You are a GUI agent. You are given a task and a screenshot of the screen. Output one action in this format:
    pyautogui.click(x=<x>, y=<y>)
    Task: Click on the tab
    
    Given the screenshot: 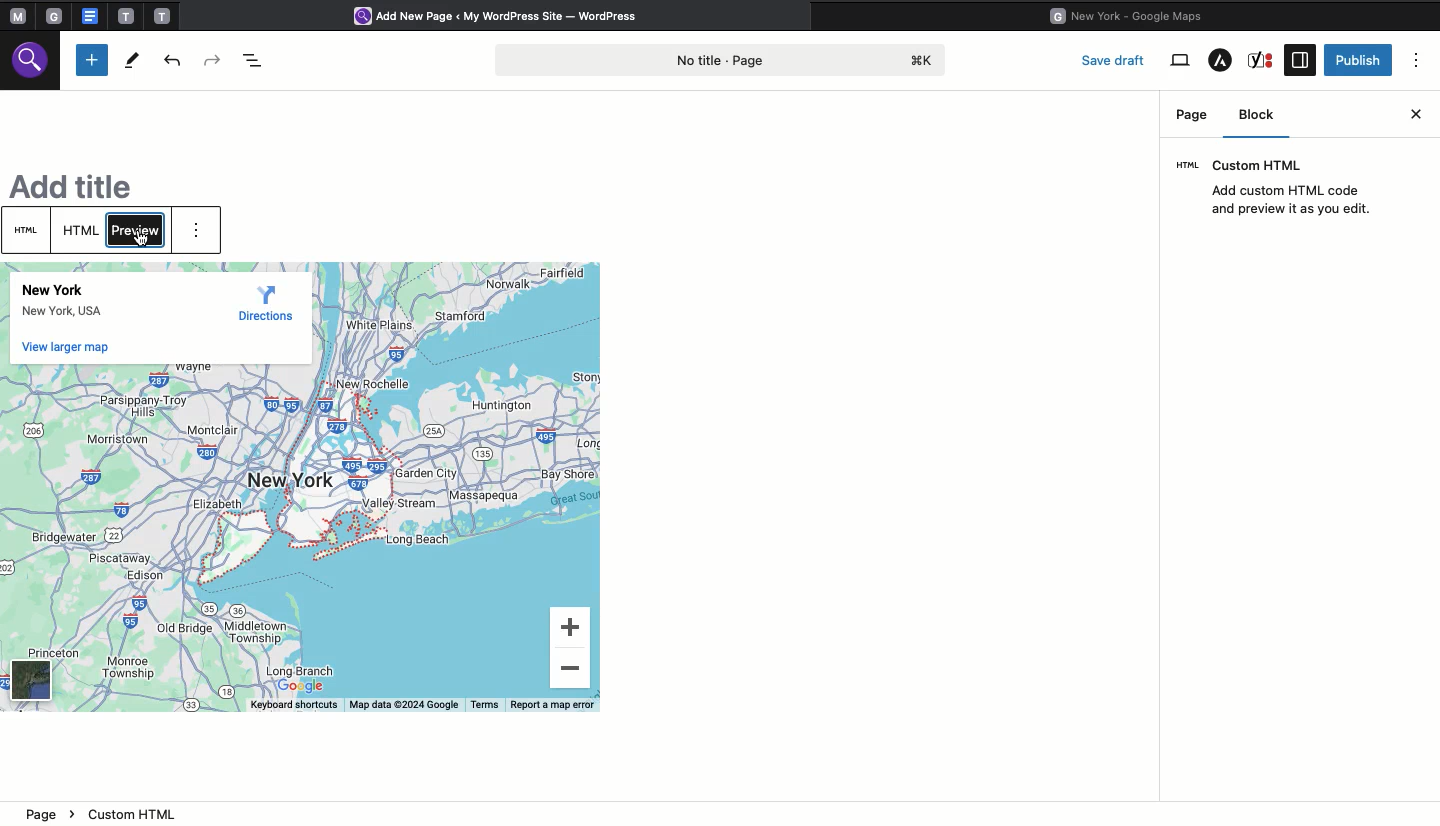 What is the action you would take?
    pyautogui.click(x=126, y=16)
    